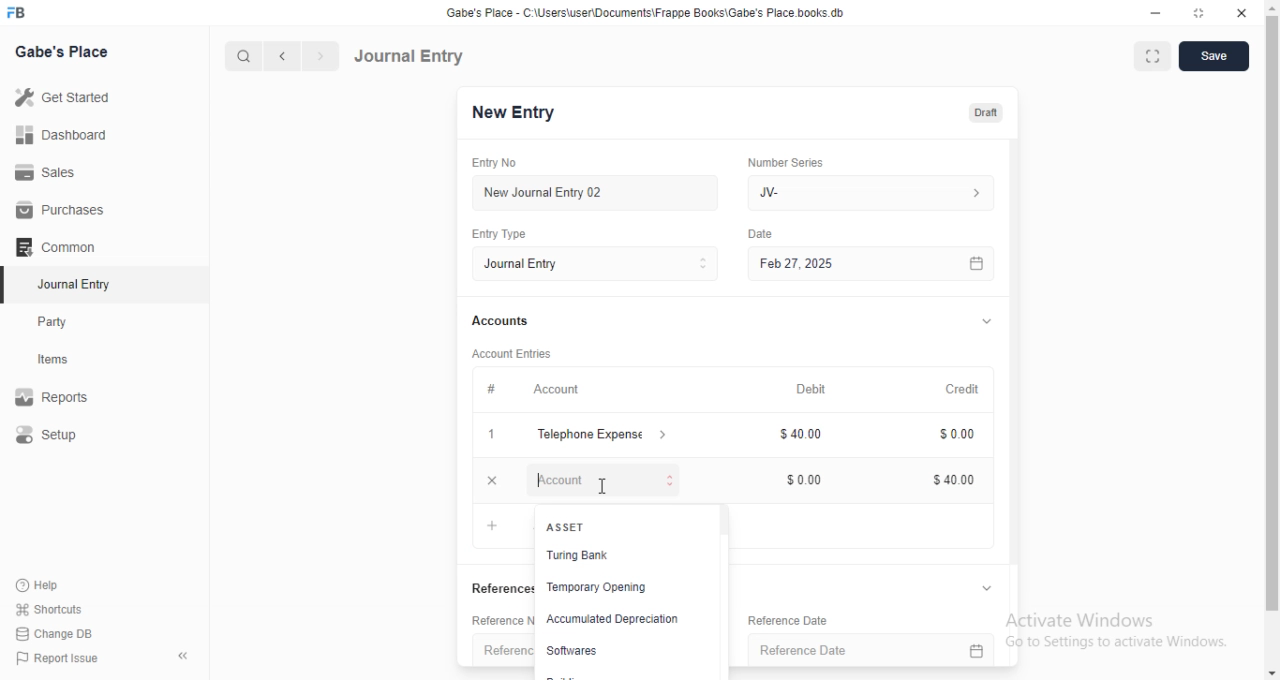 This screenshot has height=680, width=1280. What do you see at coordinates (55, 632) in the screenshot?
I see `| Change DB` at bounding box center [55, 632].